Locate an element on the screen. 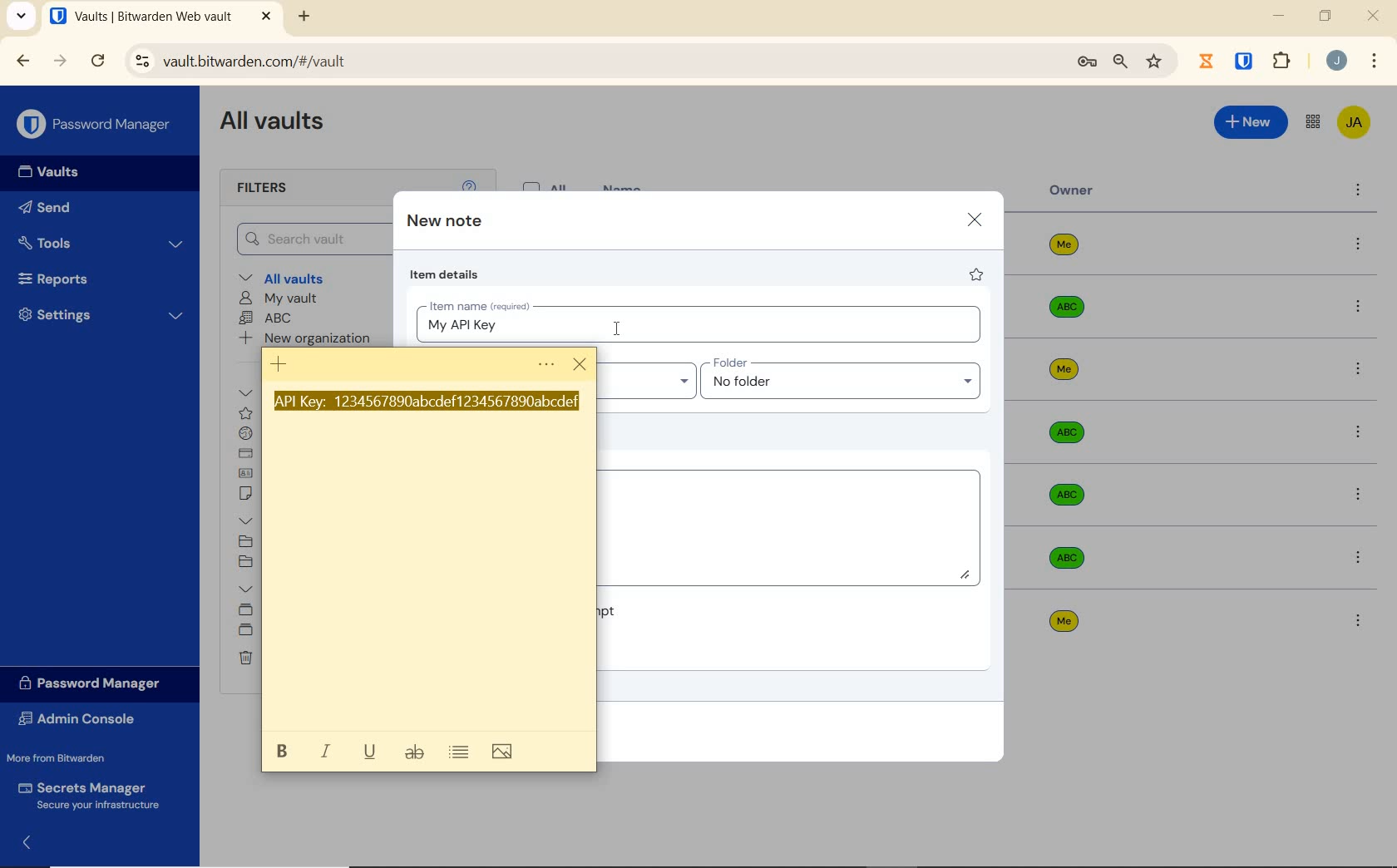 Image resolution: width=1397 pixels, height=868 pixels. typed item name is located at coordinates (462, 326).